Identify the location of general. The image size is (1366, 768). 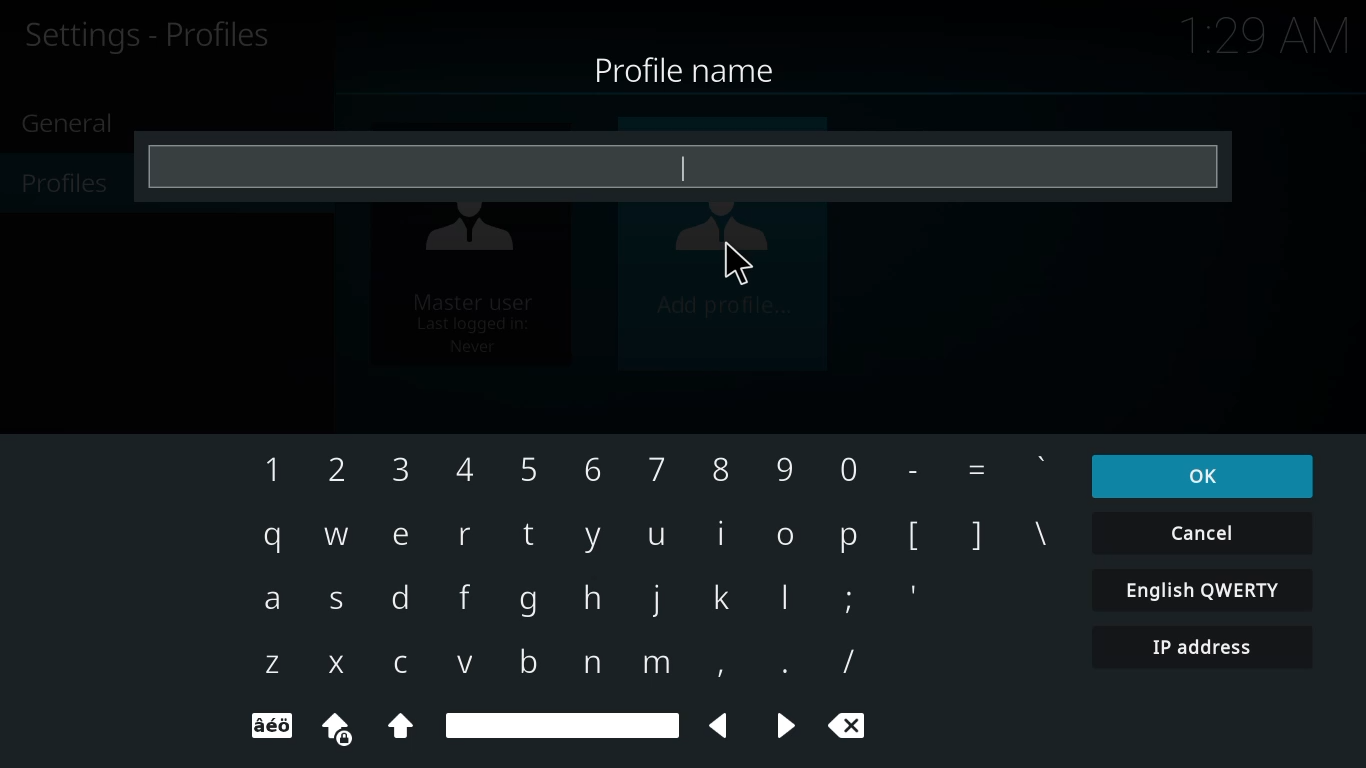
(71, 124).